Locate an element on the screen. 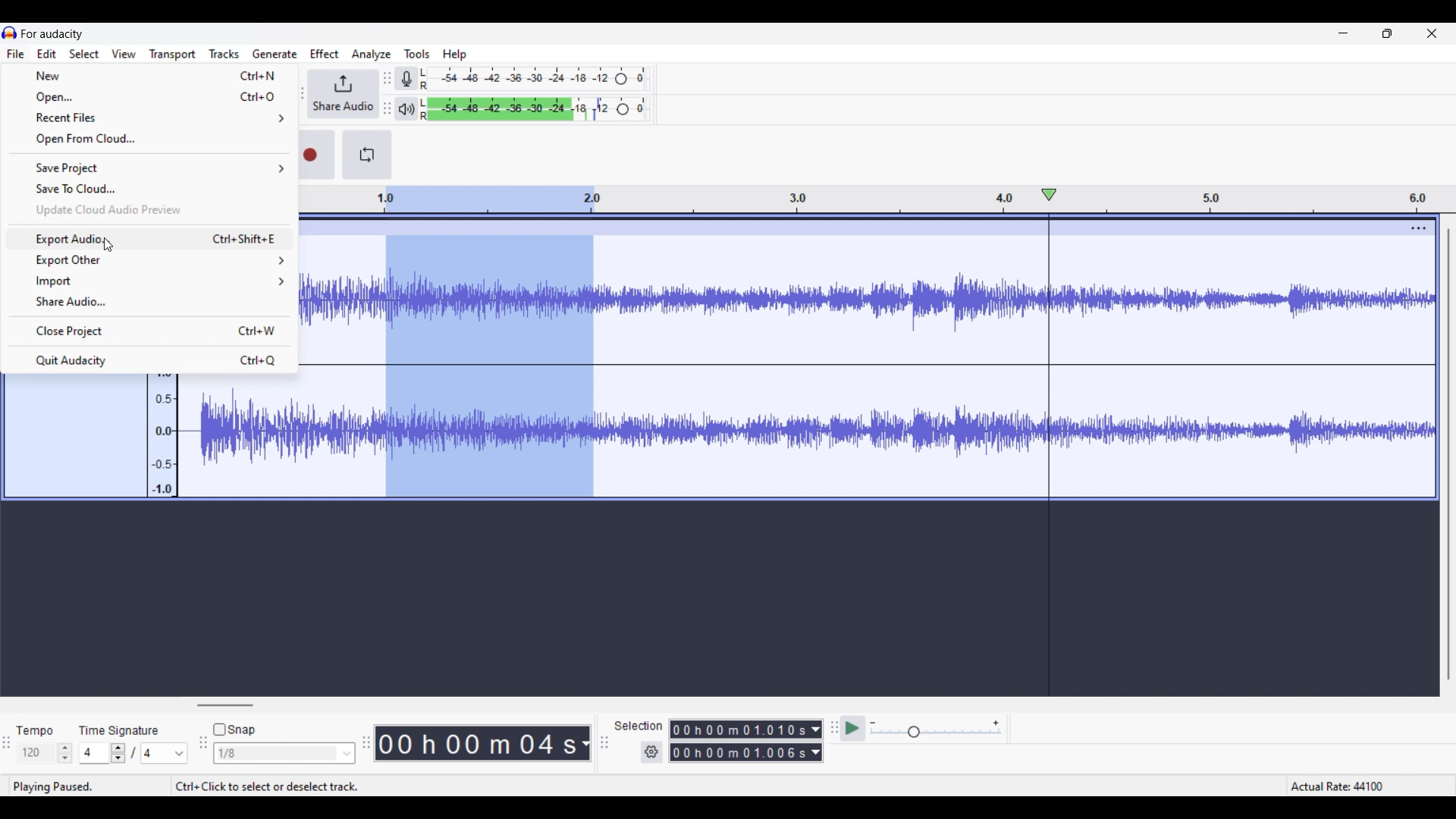  Playback meter is located at coordinates (405, 108).